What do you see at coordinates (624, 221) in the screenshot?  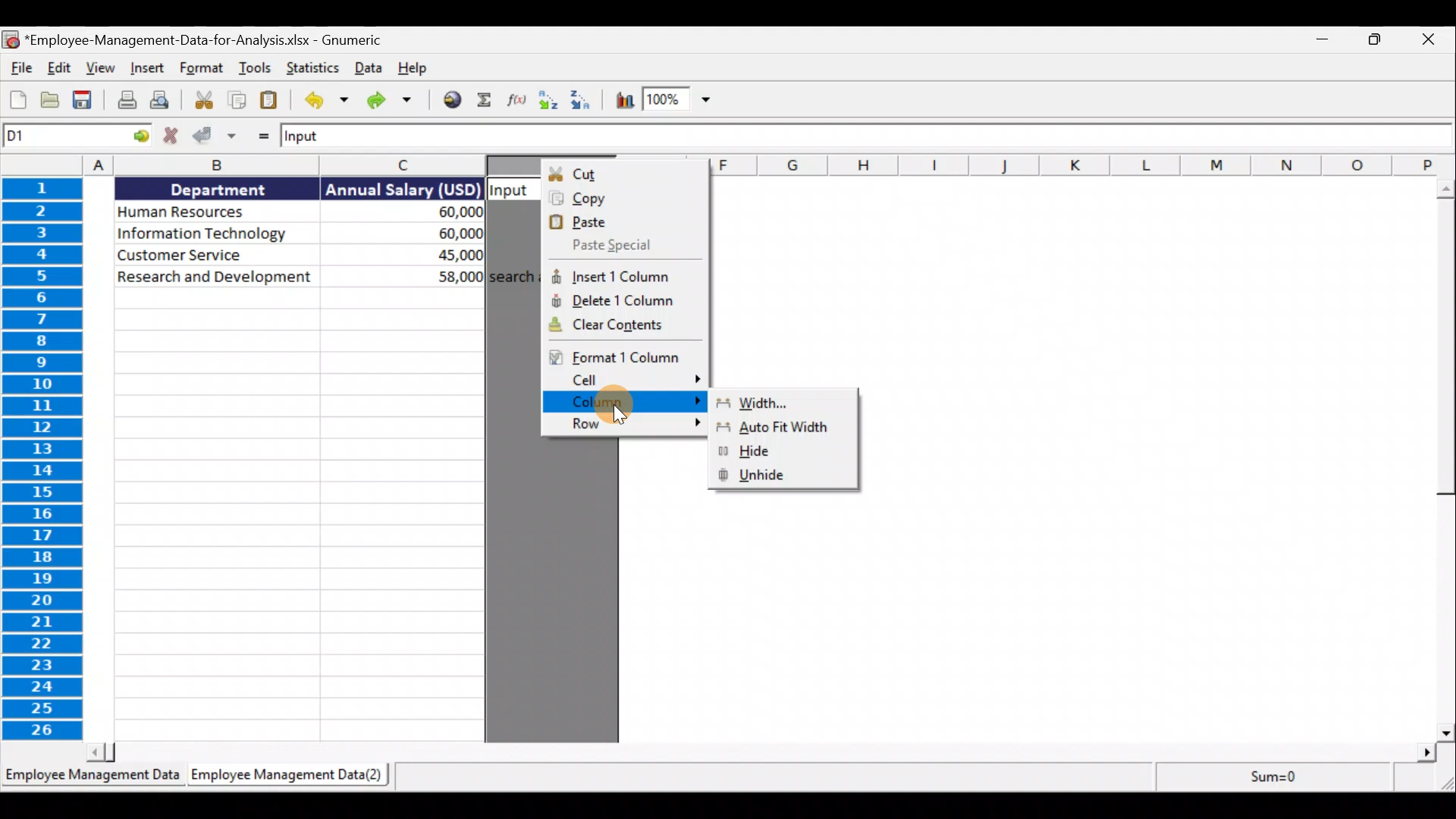 I see `Paste` at bounding box center [624, 221].